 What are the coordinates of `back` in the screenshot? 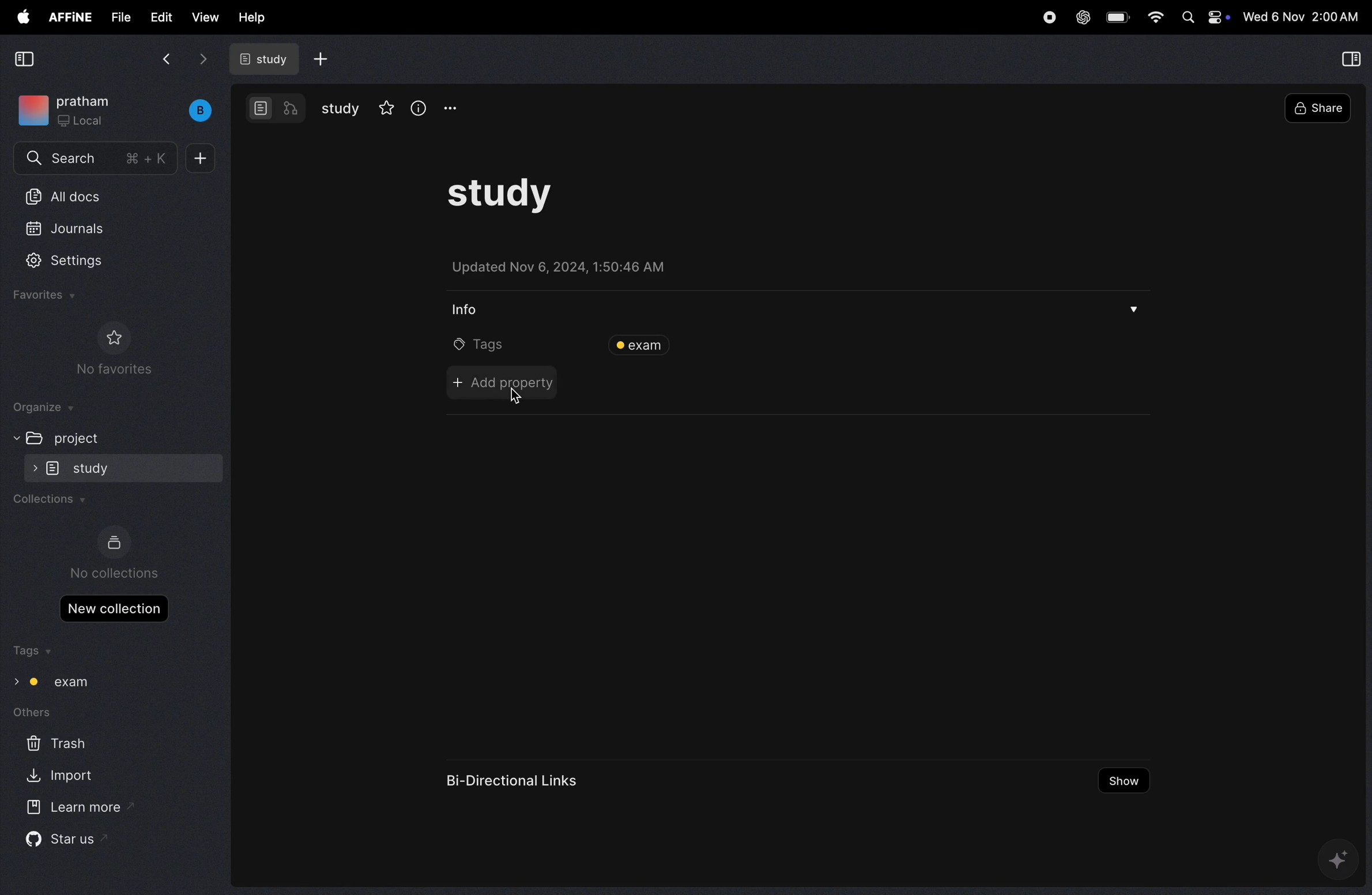 It's located at (163, 61).